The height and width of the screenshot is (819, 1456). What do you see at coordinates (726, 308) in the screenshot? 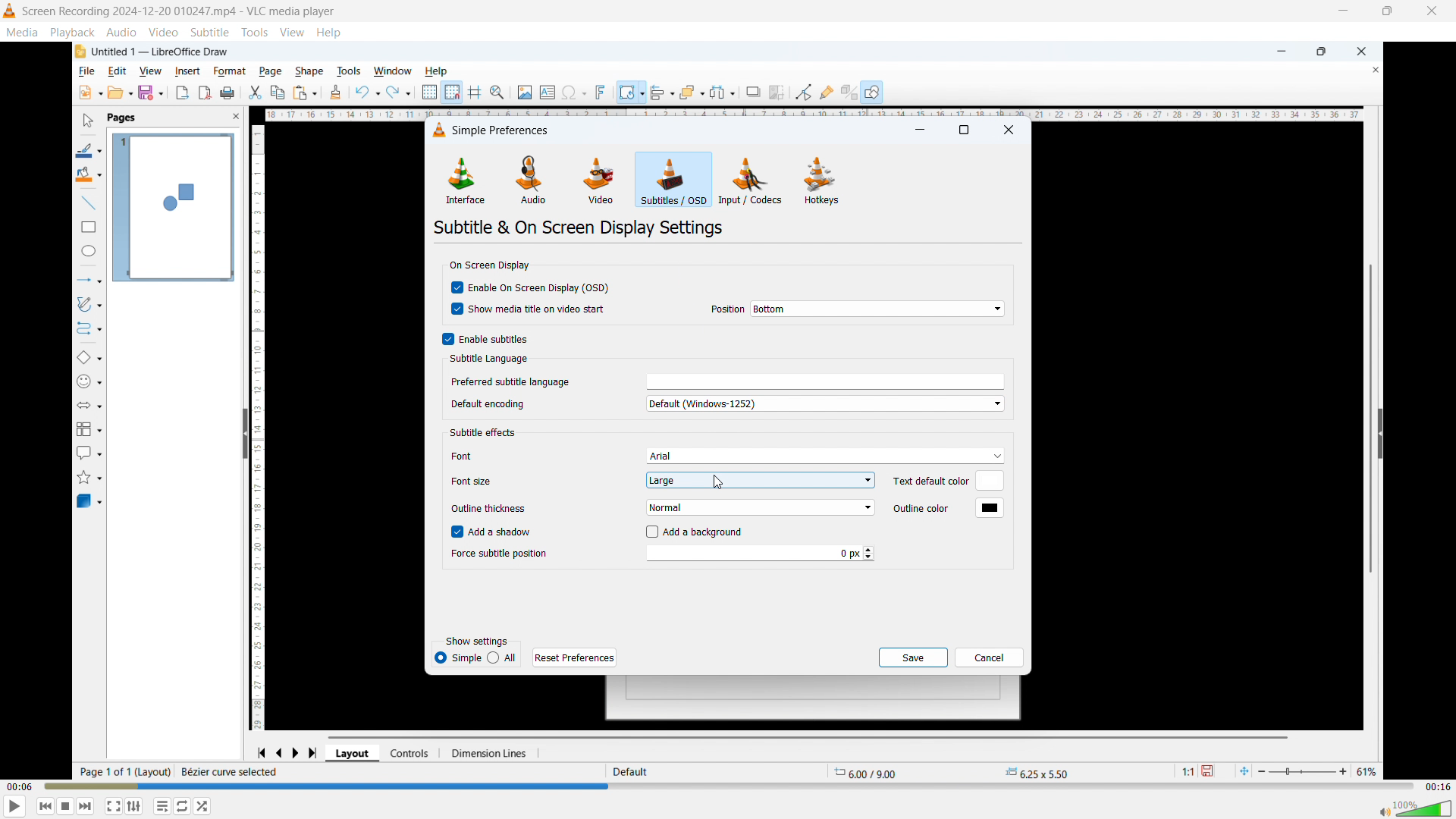
I see `Position` at bounding box center [726, 308].